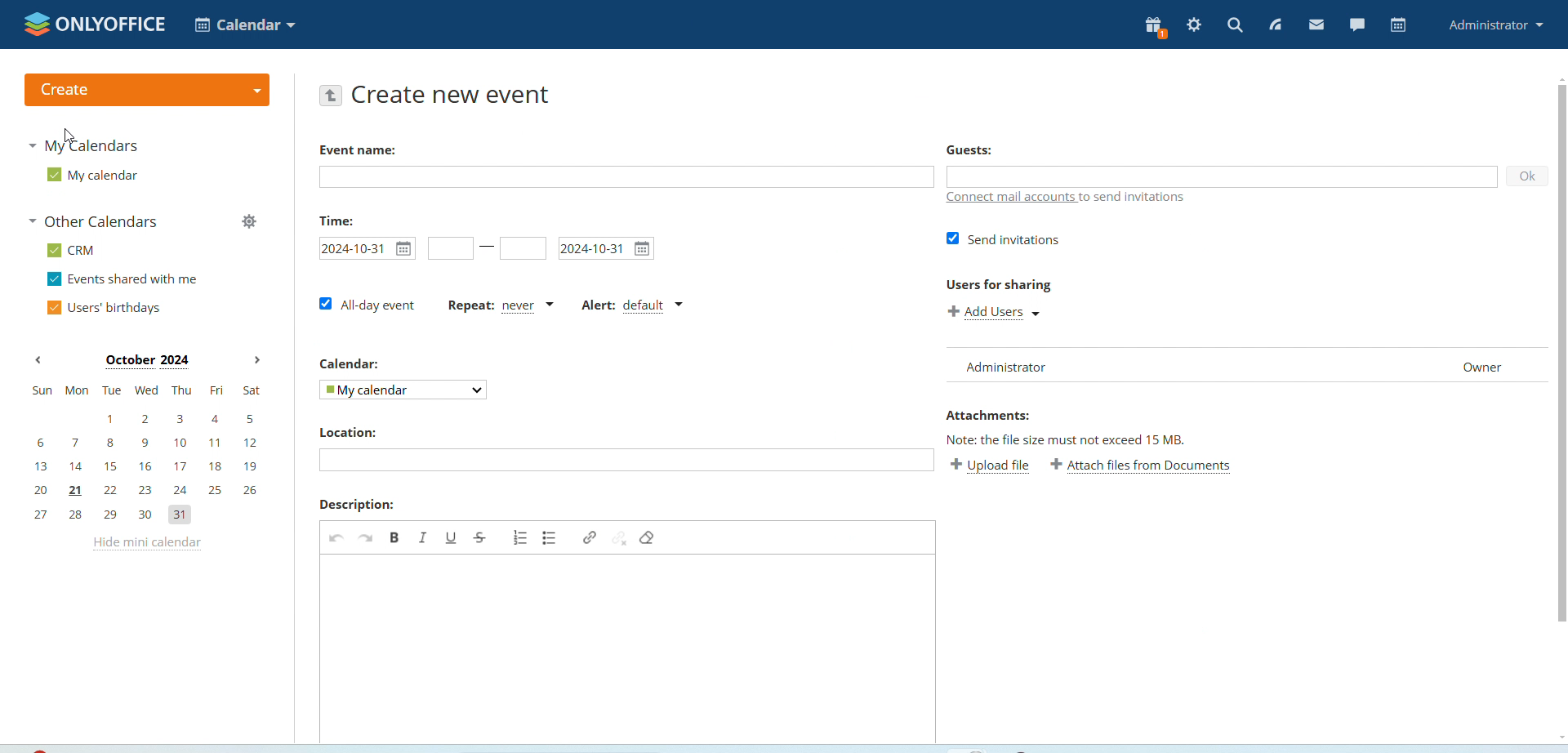  I want to click on calendar application, so click(243, 24).